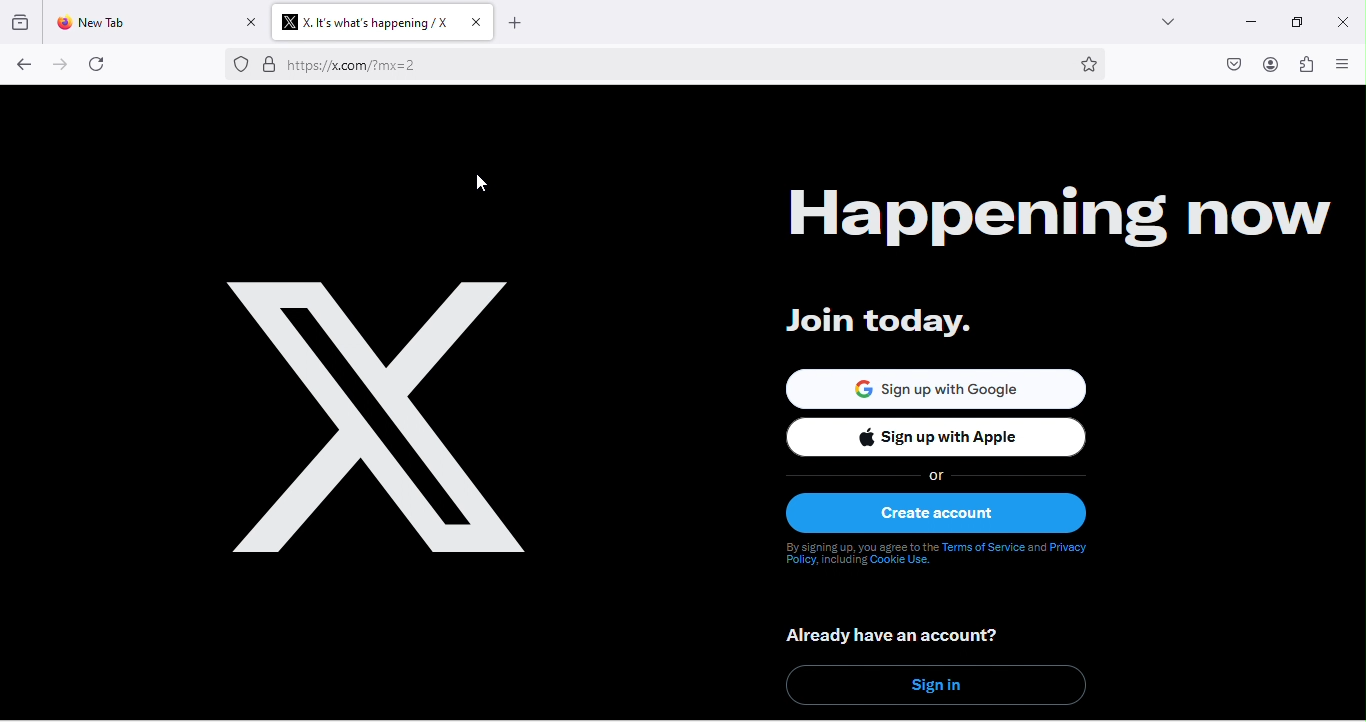  Describe the element at coordinates (667, 66) in the screenshot. I see `web link` at that location.